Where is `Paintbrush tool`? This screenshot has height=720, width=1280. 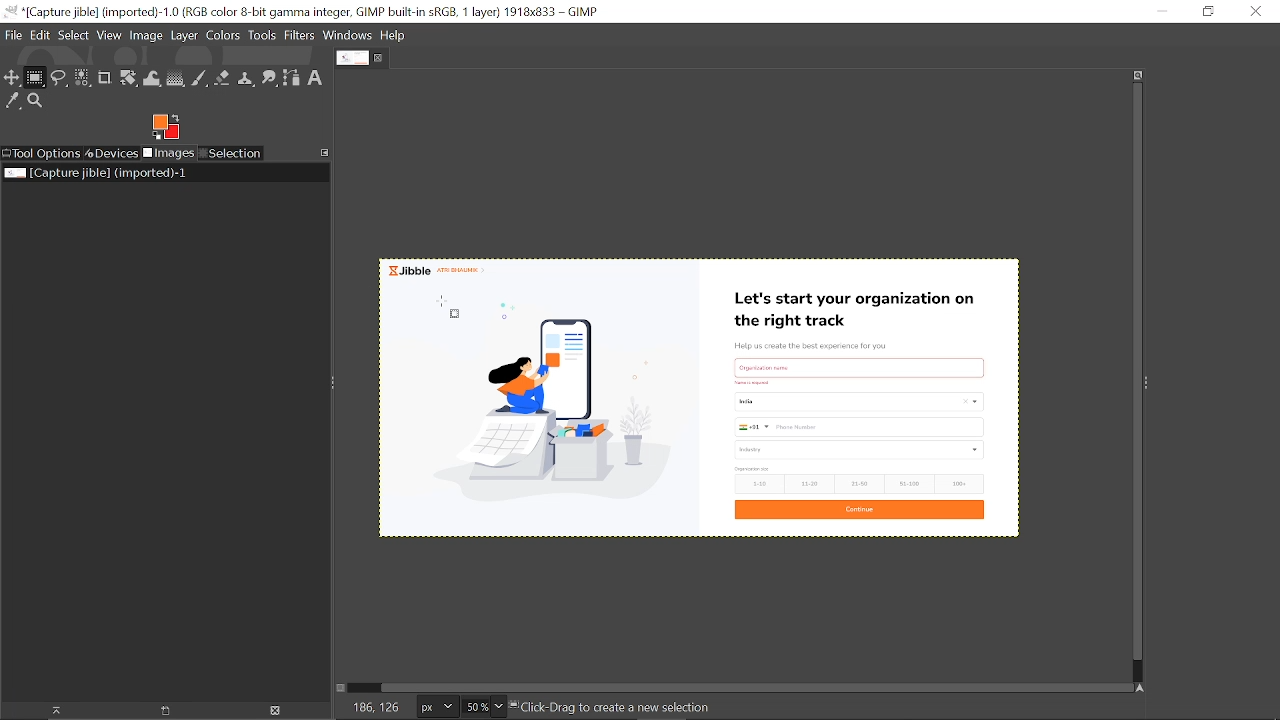
Paintbrush tool is located at coordinates (200, 78).